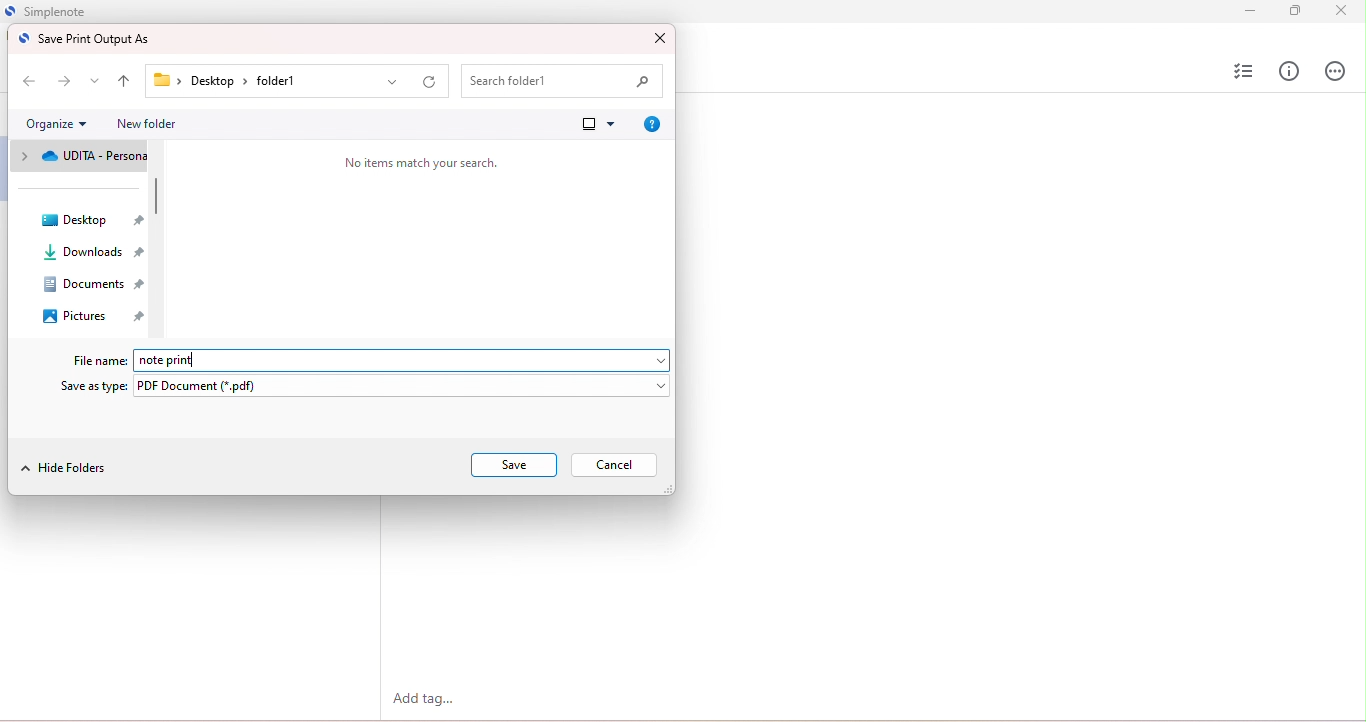  What do you see at coordinates (564, 82) in the screenshot?
I see `search in current folder` at bounding box center [564, 82].